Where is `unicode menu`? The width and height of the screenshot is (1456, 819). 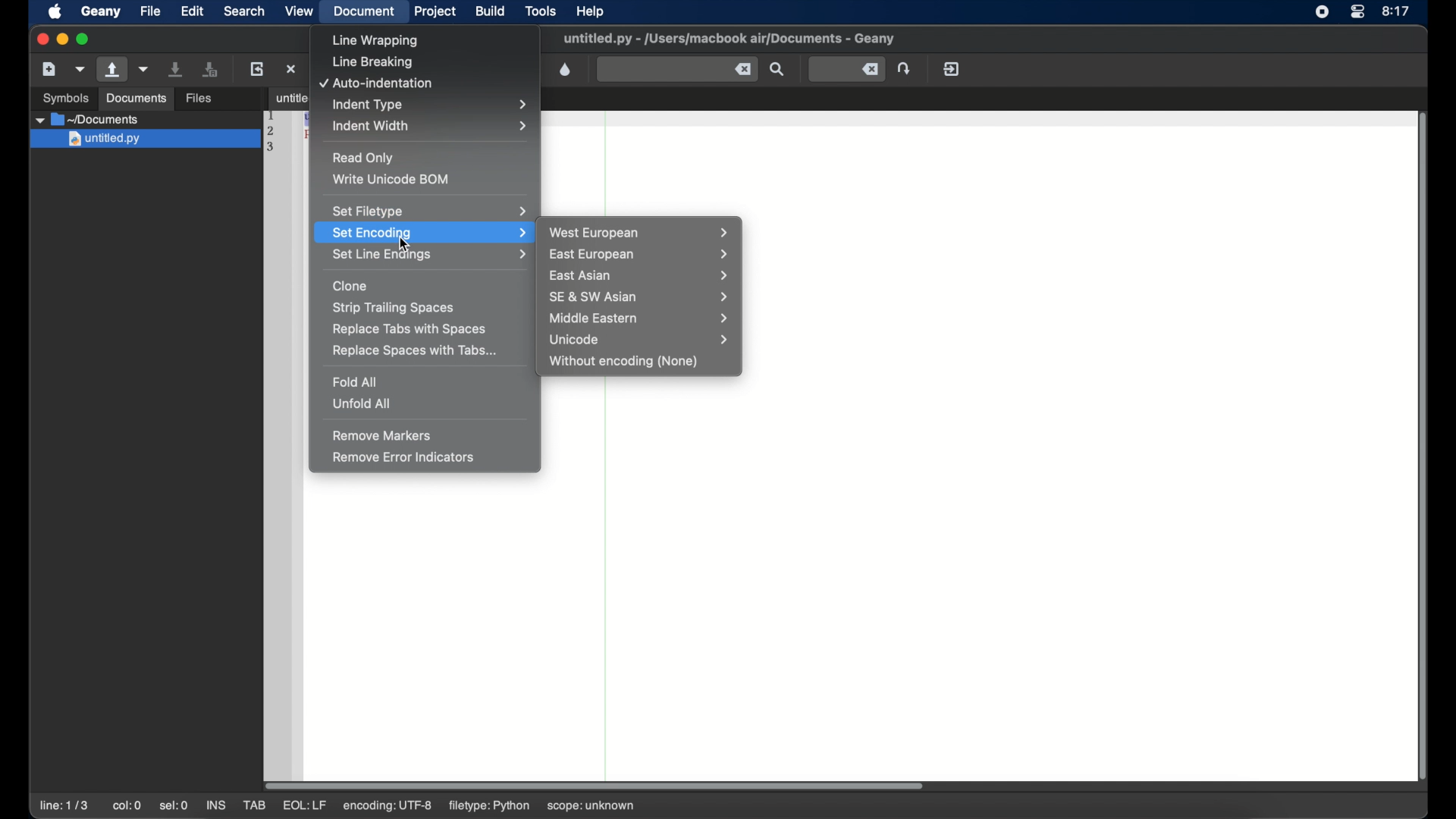 unicode menu is located at coordinates (642, 340).